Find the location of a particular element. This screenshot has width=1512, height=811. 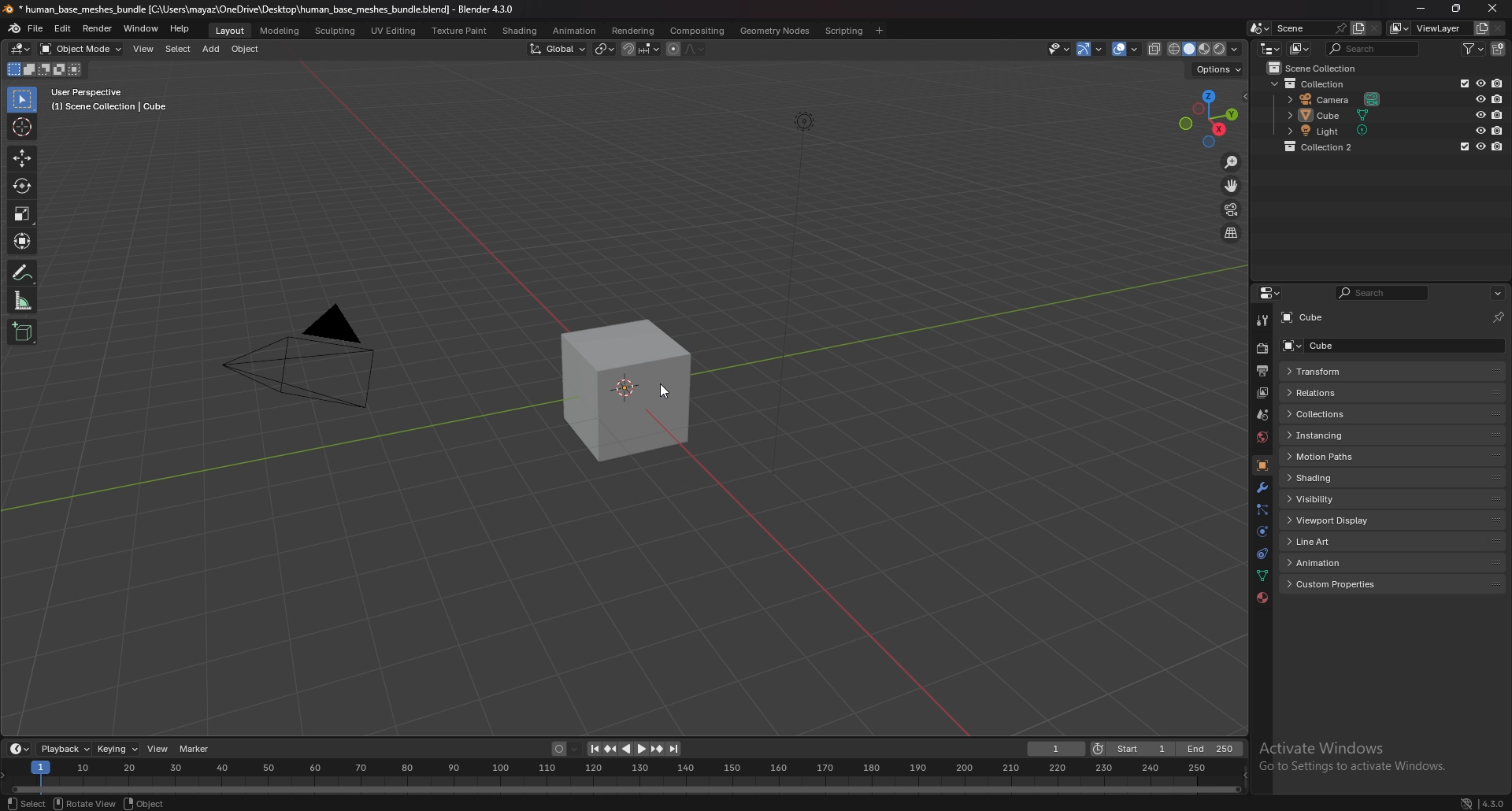

view layer is located at coordinates (1425, 28).